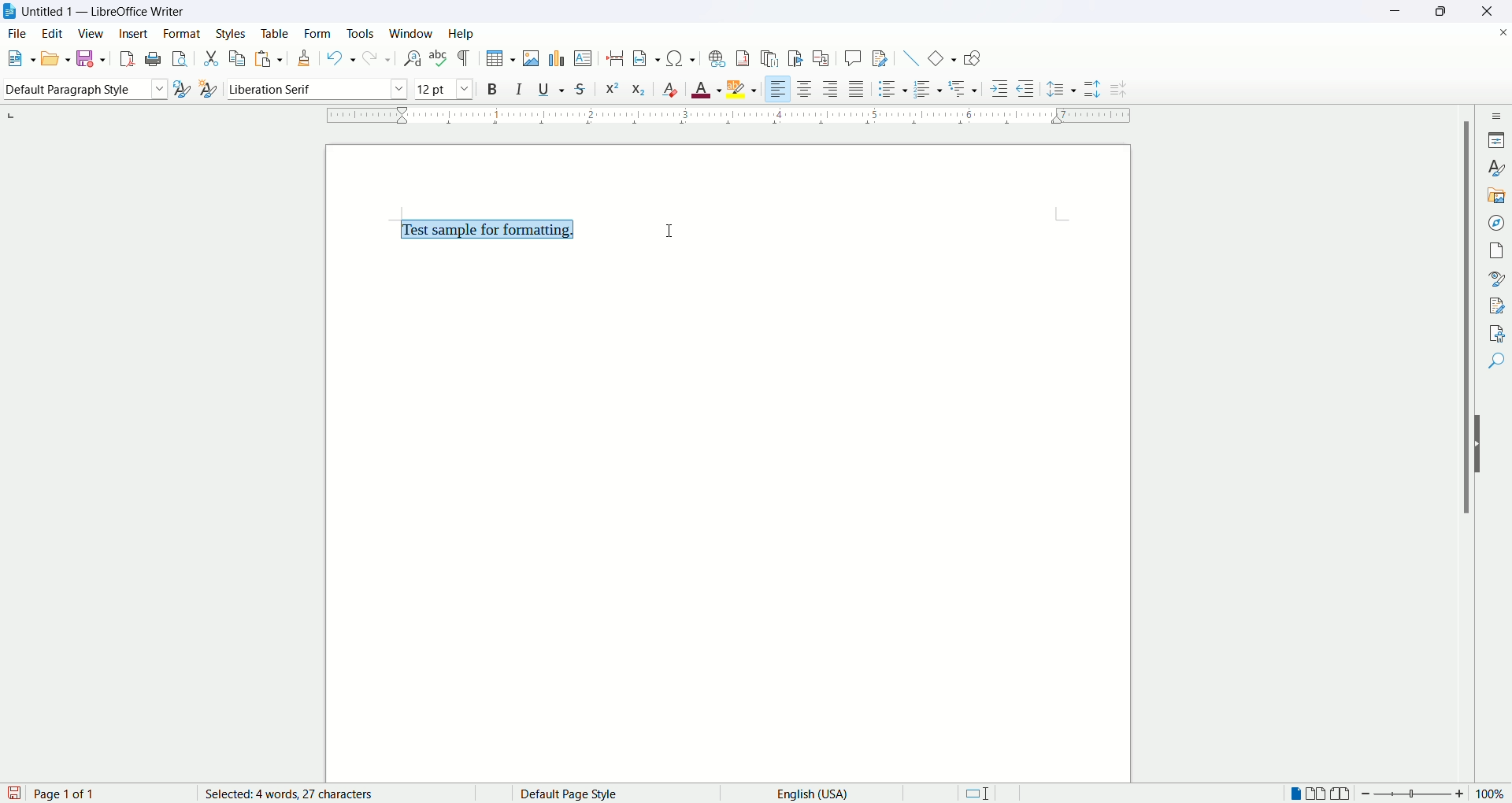 The height and width of the screenshot is (803, 1512). What do you see at coordinates (1496, 166) in the screenshot?
I see `style` at bounding box center [1496, 166].